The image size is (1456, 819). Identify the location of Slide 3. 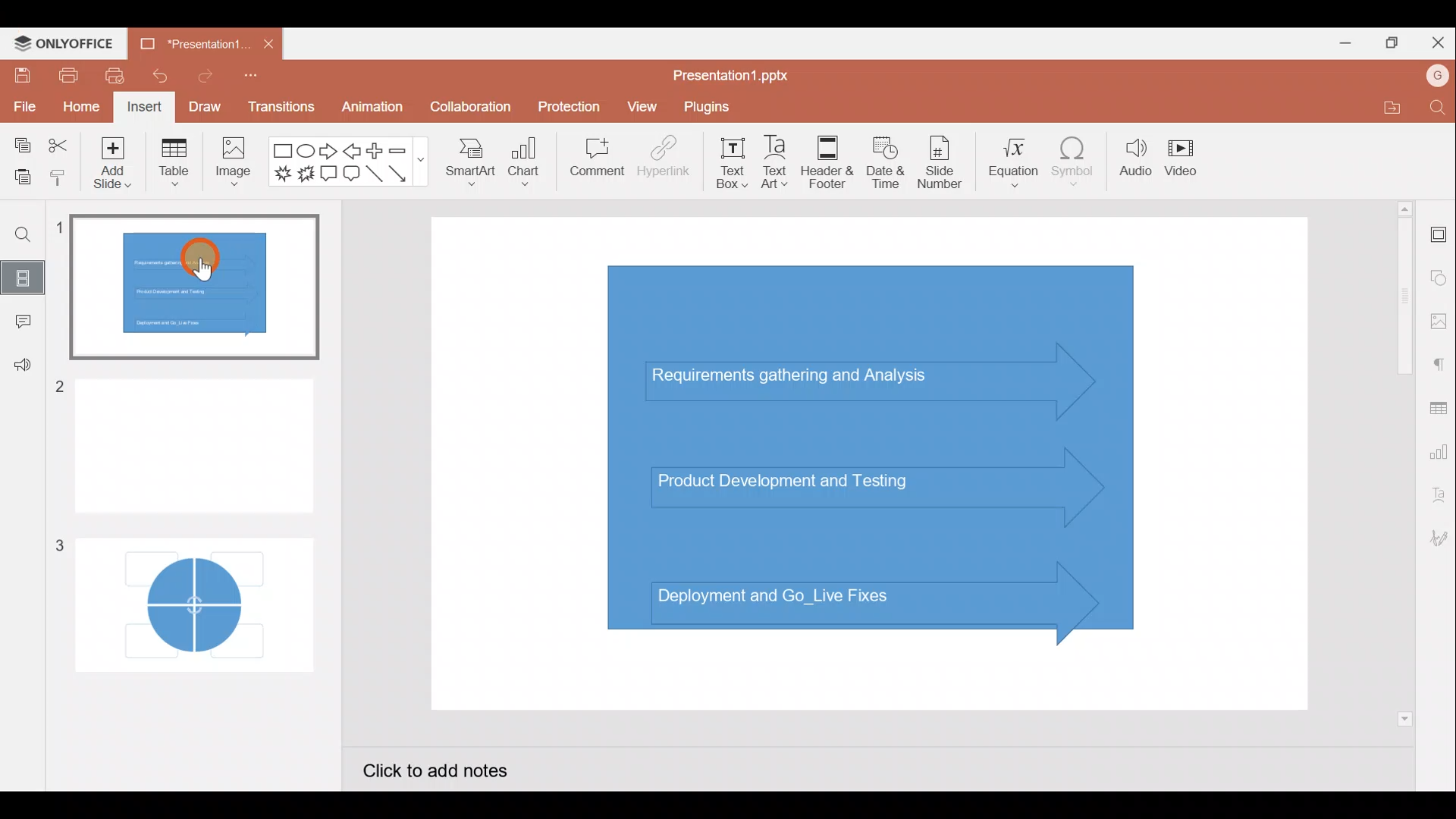
(187, 597).